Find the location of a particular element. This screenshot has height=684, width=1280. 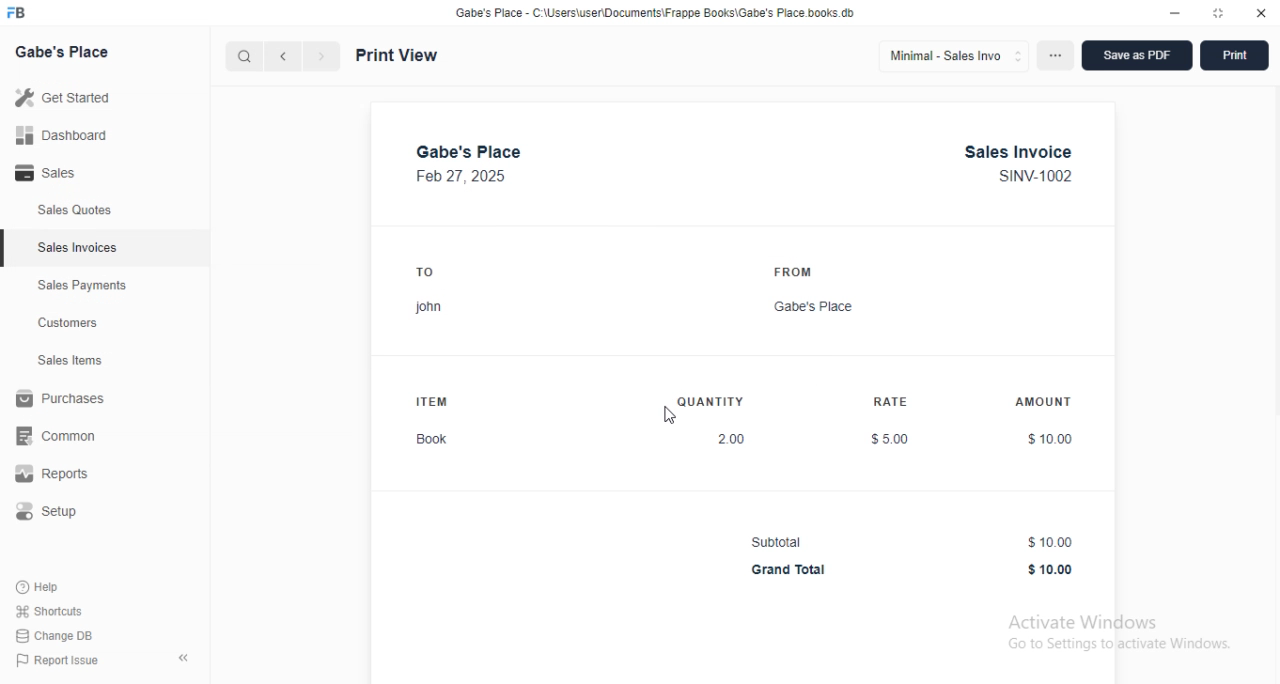

options is located at coordinates (1055, 55).